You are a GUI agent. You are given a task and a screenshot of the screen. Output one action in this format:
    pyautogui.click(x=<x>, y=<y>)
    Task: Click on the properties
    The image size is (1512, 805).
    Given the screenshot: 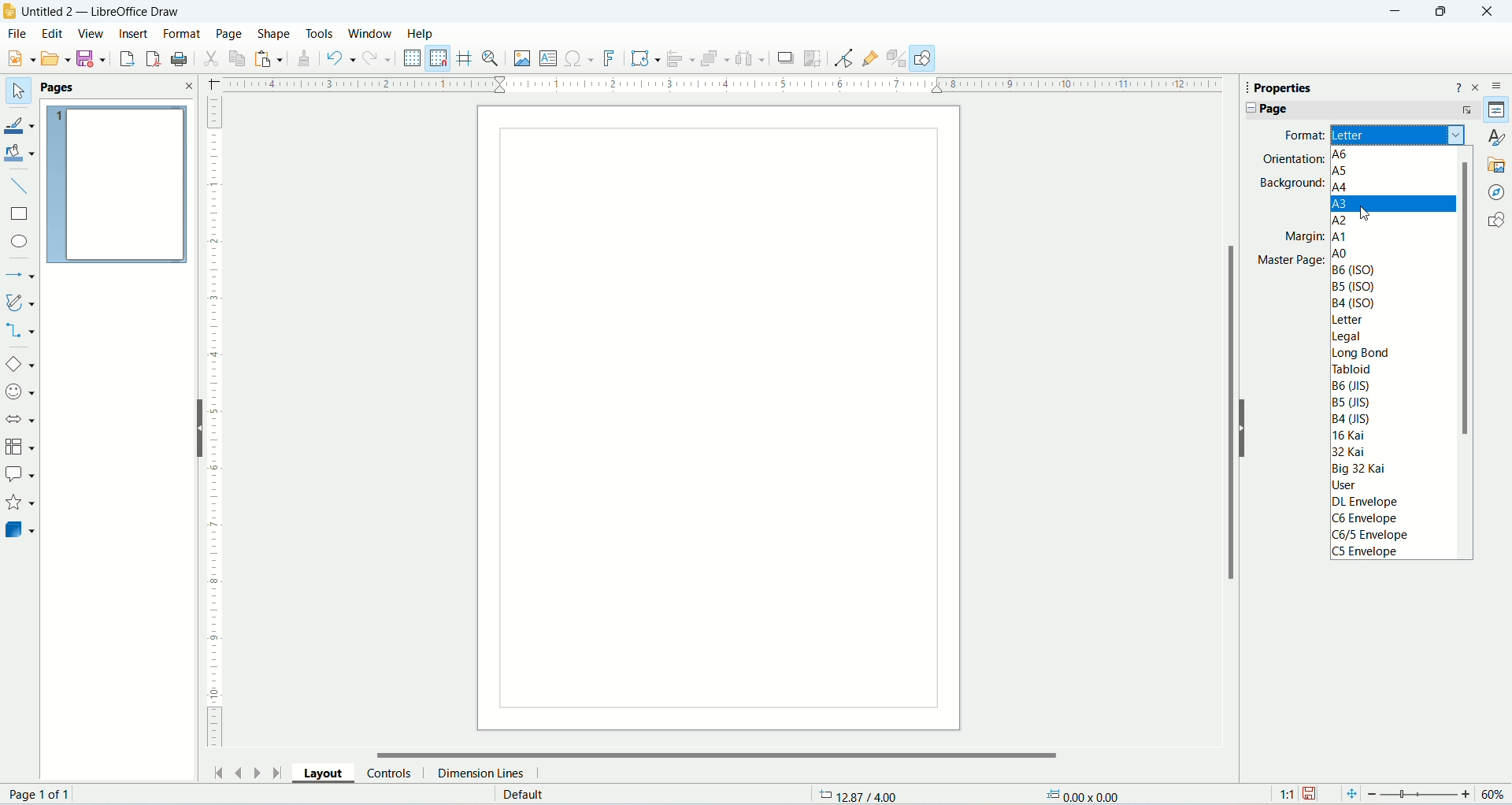 What is the action you would take?
    pyautogui.click(x=1496, y=108)
    